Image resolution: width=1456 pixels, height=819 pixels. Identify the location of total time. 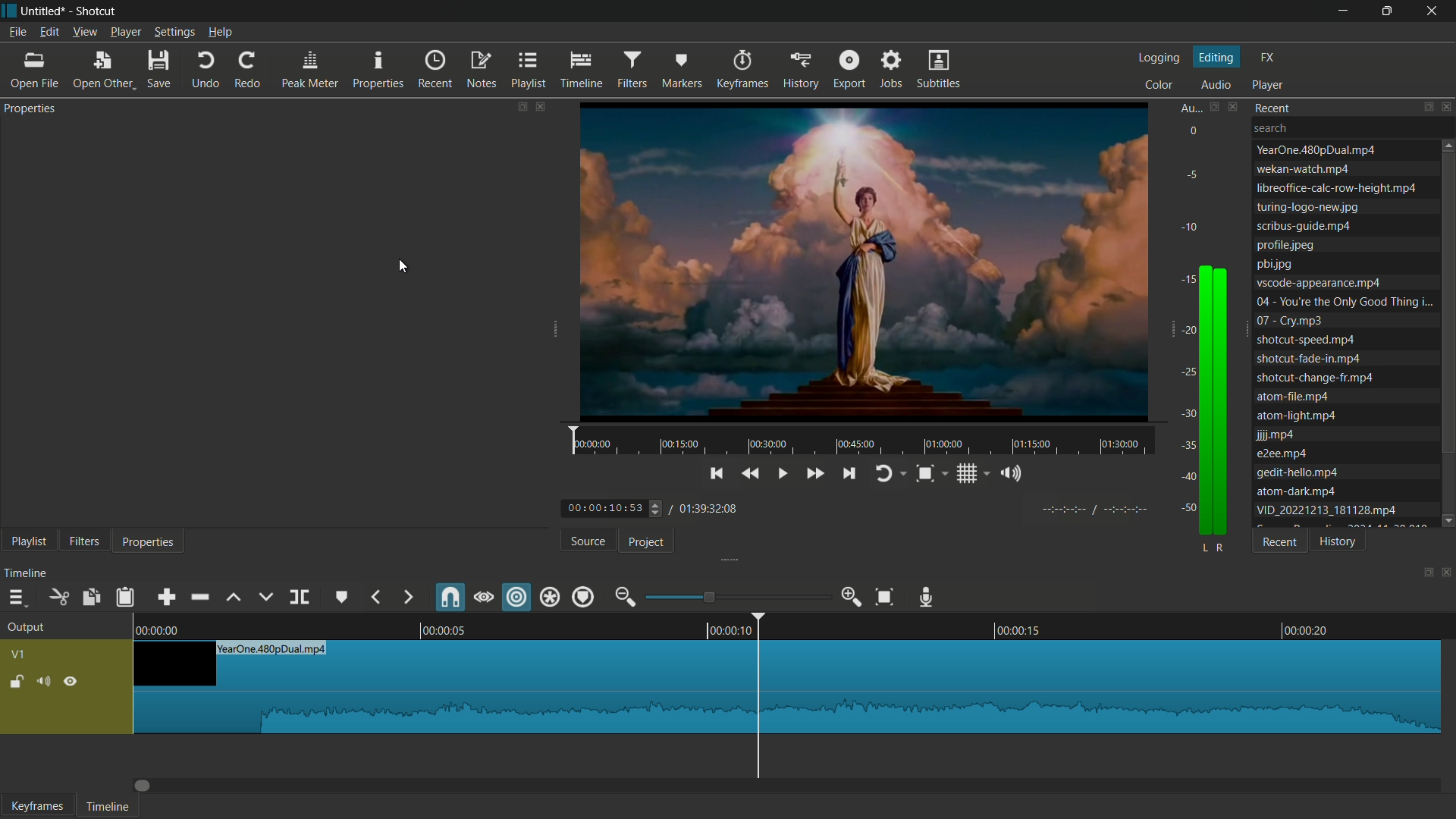
(715, 508).